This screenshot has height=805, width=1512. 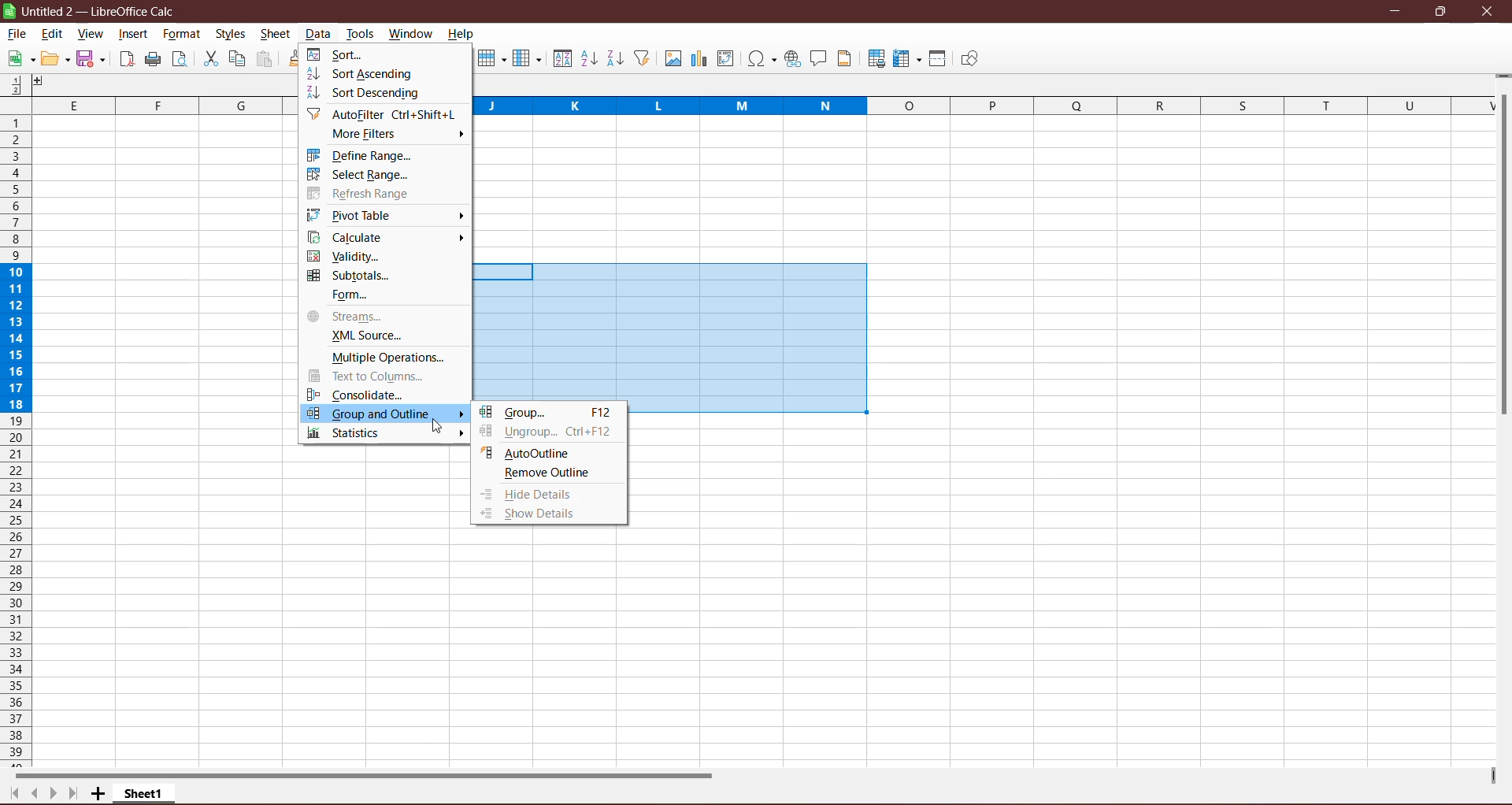 I want to click on Sheet, so click(x=276, y=35).